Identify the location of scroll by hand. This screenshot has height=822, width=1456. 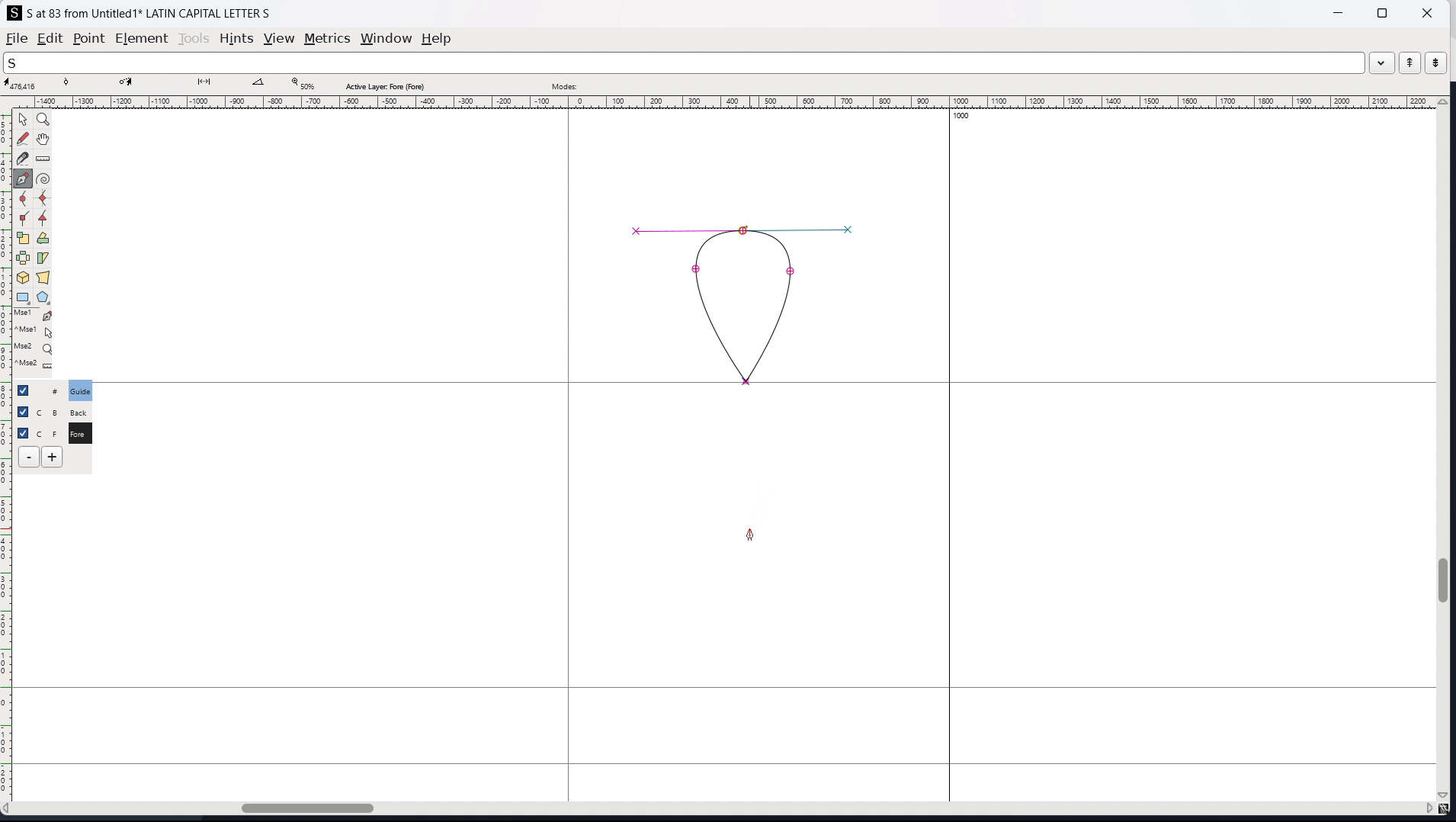
(45, 140).